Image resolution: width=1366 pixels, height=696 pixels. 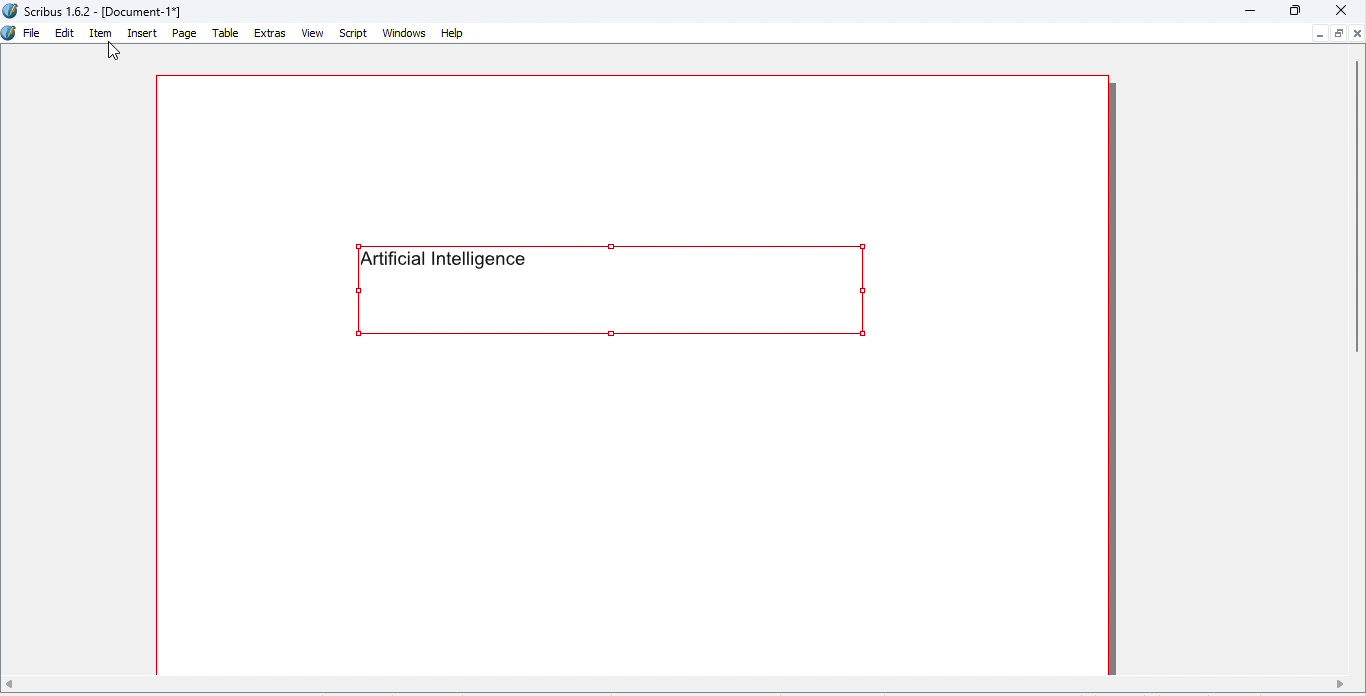 I want to click on Help, so click(x=452, y=32).